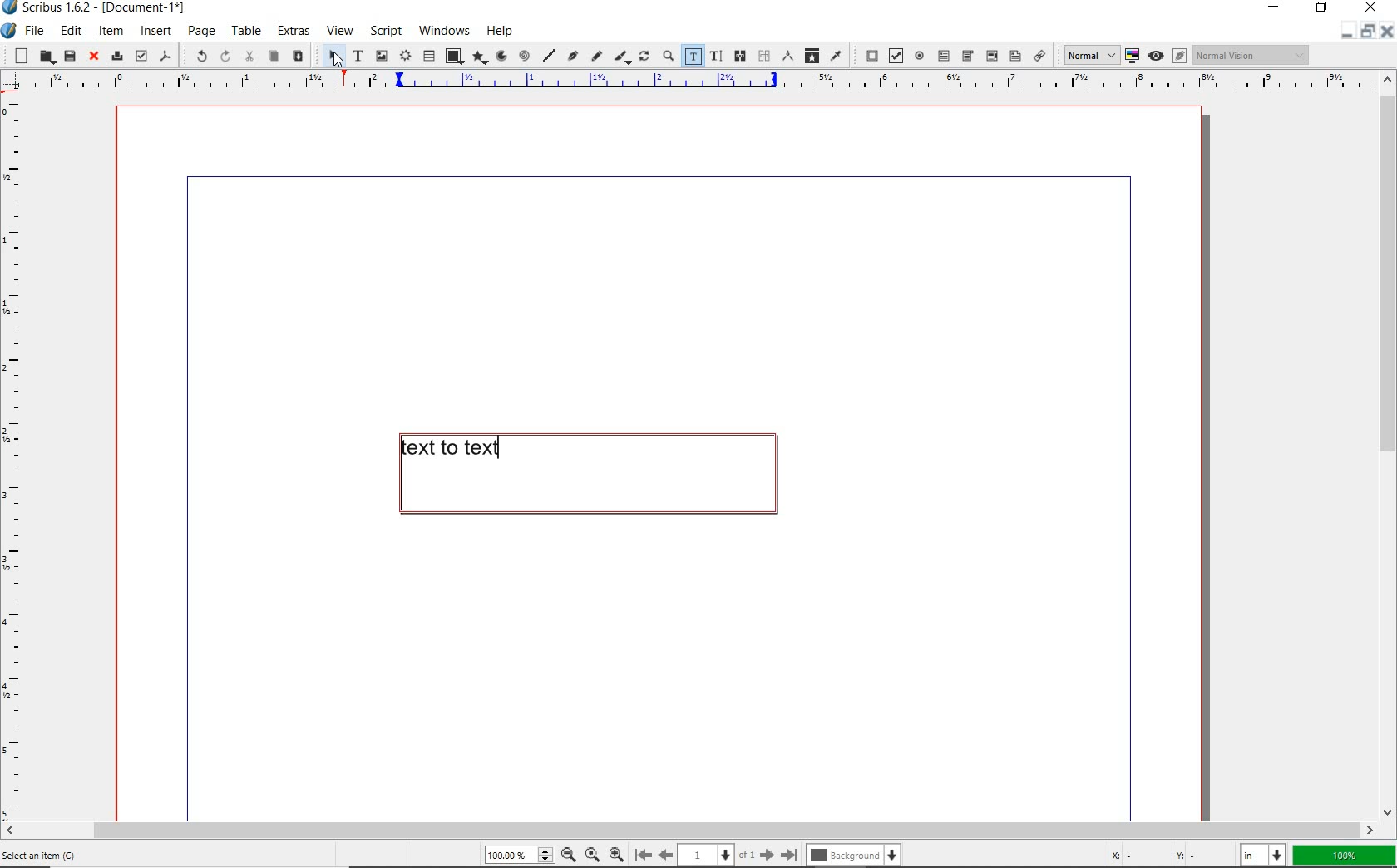 This screenshot has width=1397, height=868. What do you see at coordinates (1324, 9) in the screenshot?
I see `restore` at bounding box center [1324, 9].